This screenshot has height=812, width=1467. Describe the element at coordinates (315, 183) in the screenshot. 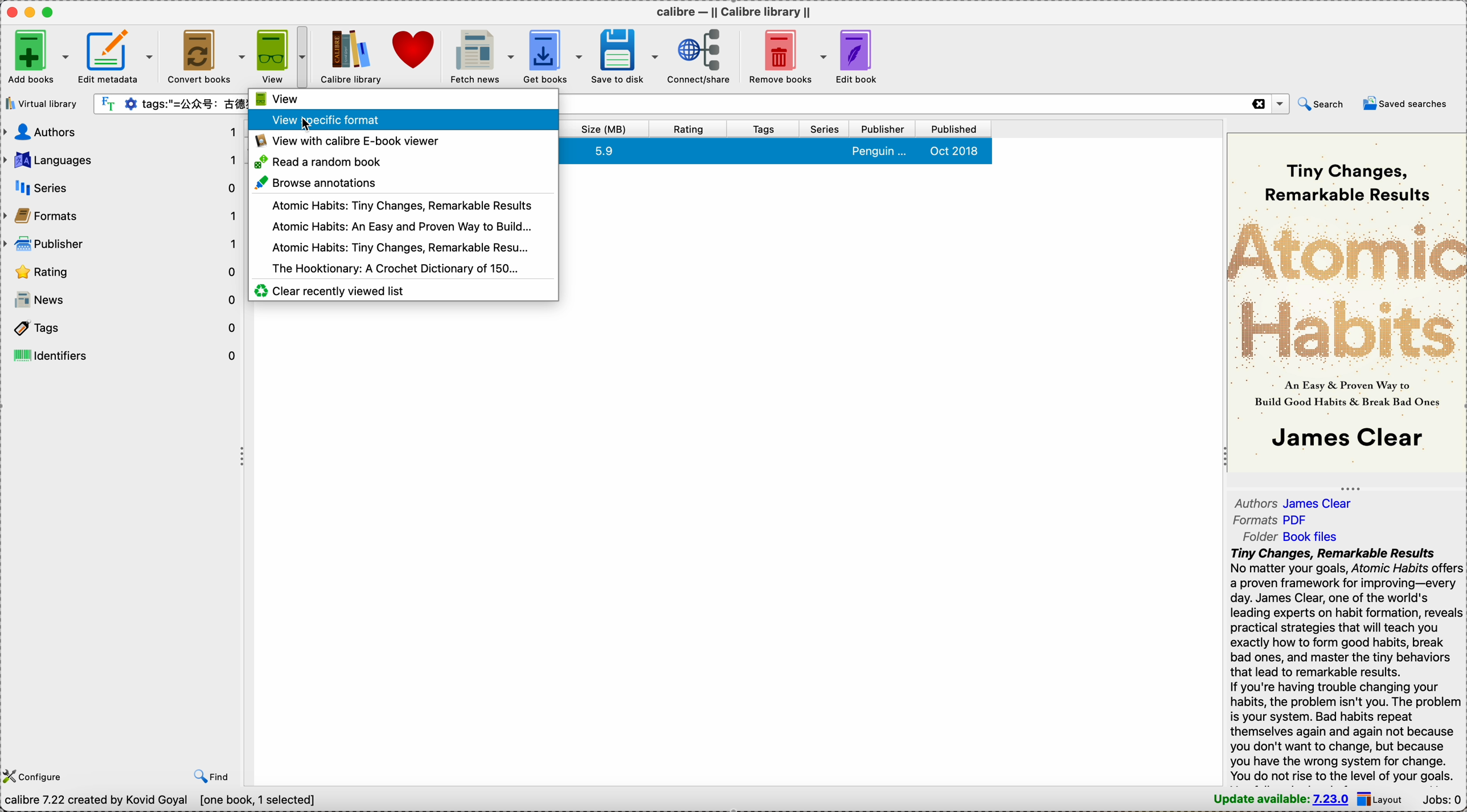

I see `browse annotations` at that location.